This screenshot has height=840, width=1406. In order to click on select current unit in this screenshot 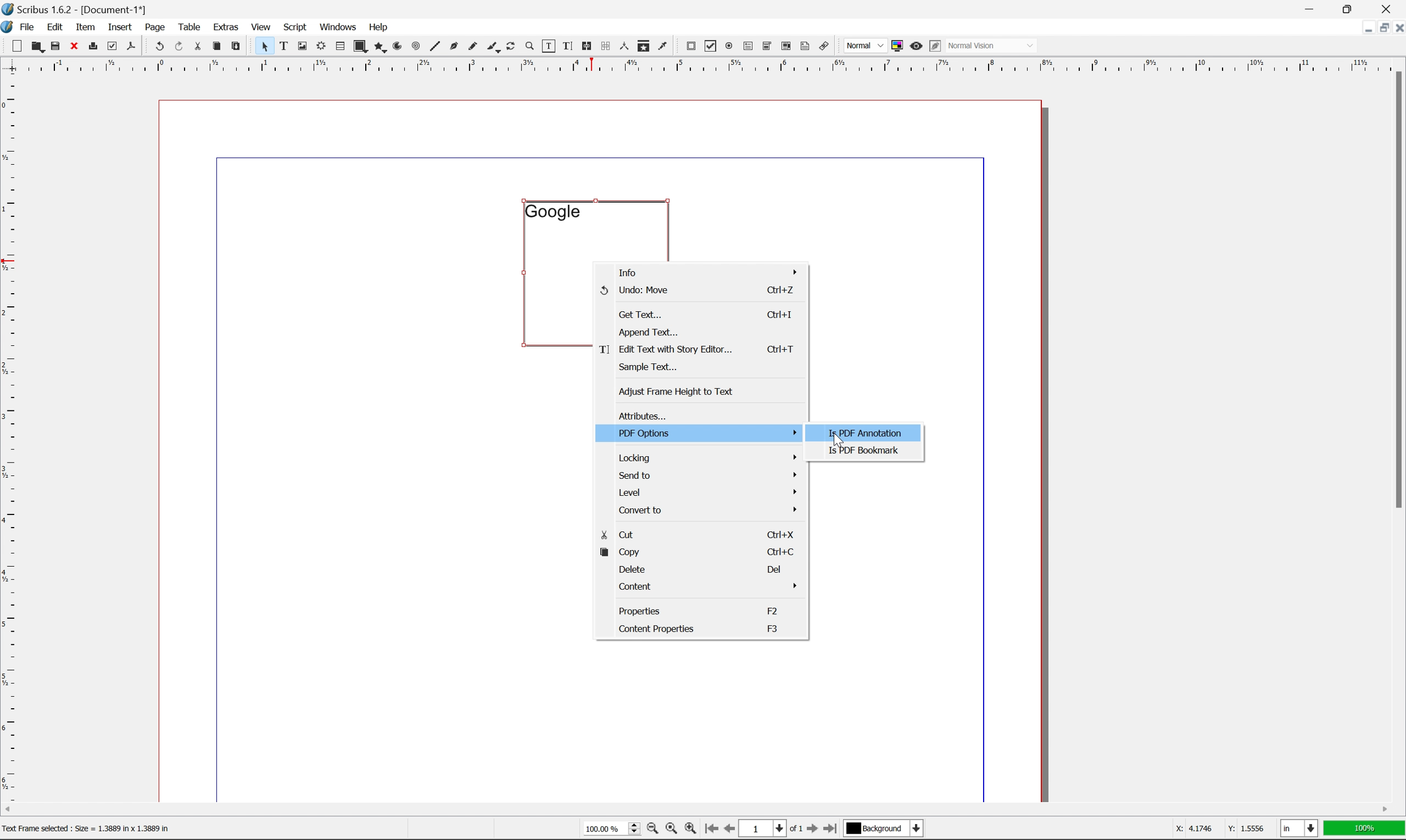, I will do `click(1301, 829)`.